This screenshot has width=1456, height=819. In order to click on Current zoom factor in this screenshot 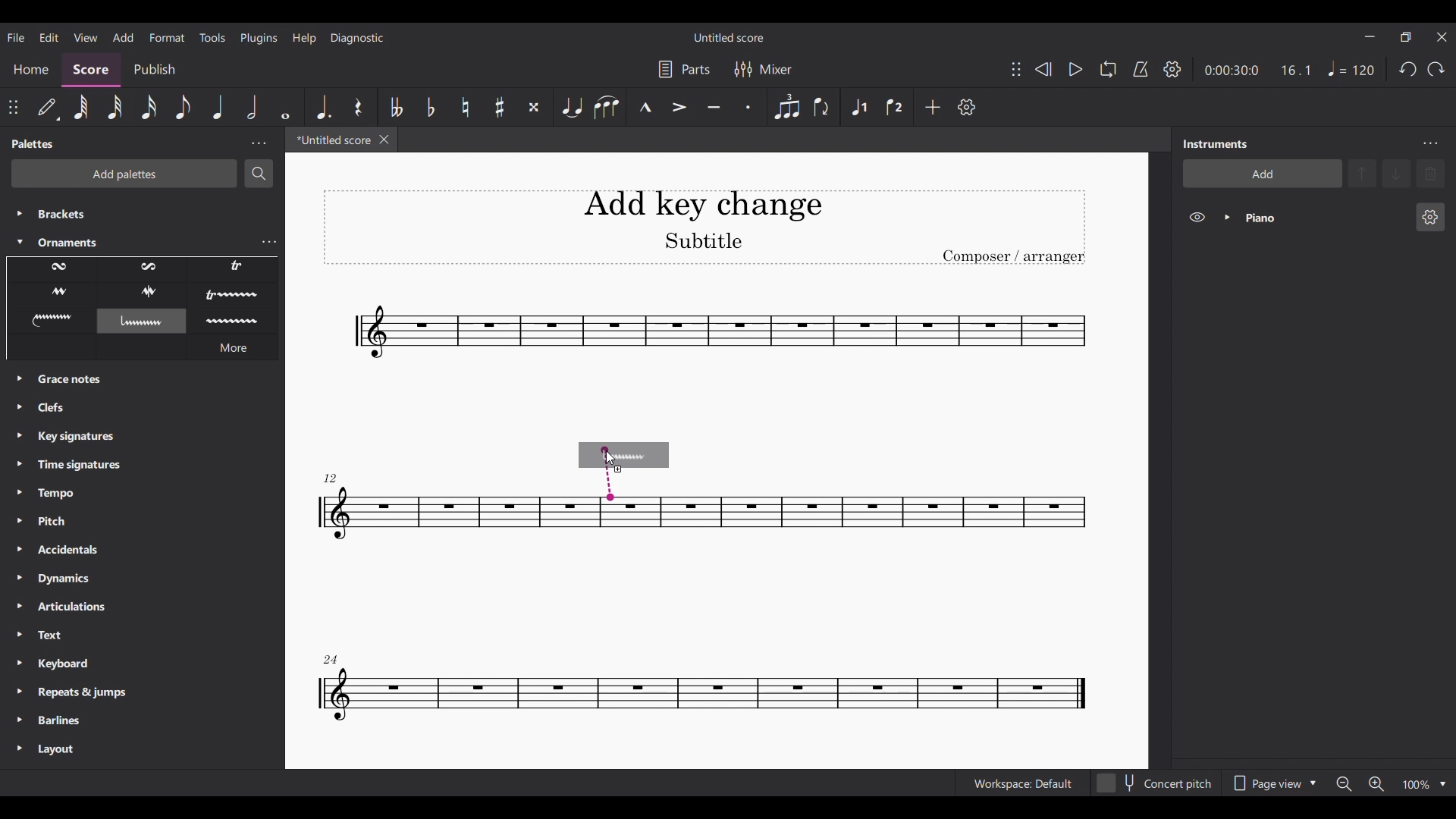, I will do `click(1417, 786)`.